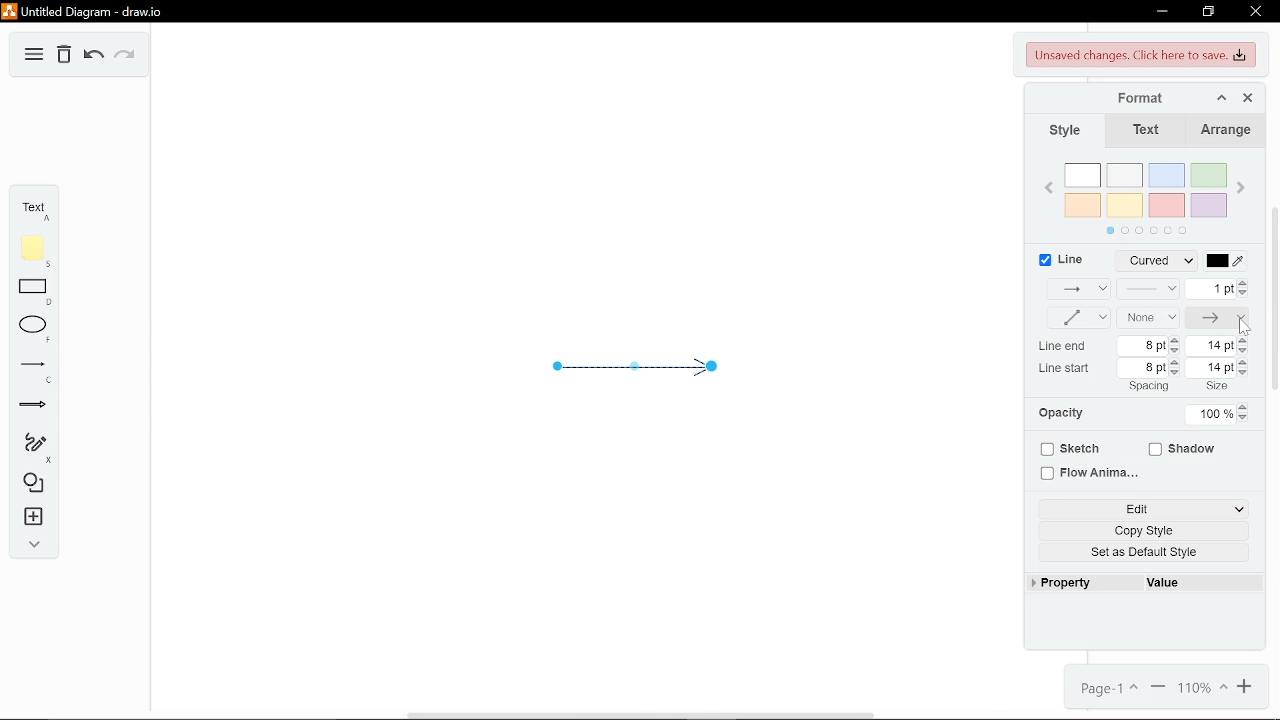 The image size is (1280, 720). What do you see at coordinates (63, 56) in the screenshot?
I see `Delete` at bounding box center [63, 56].